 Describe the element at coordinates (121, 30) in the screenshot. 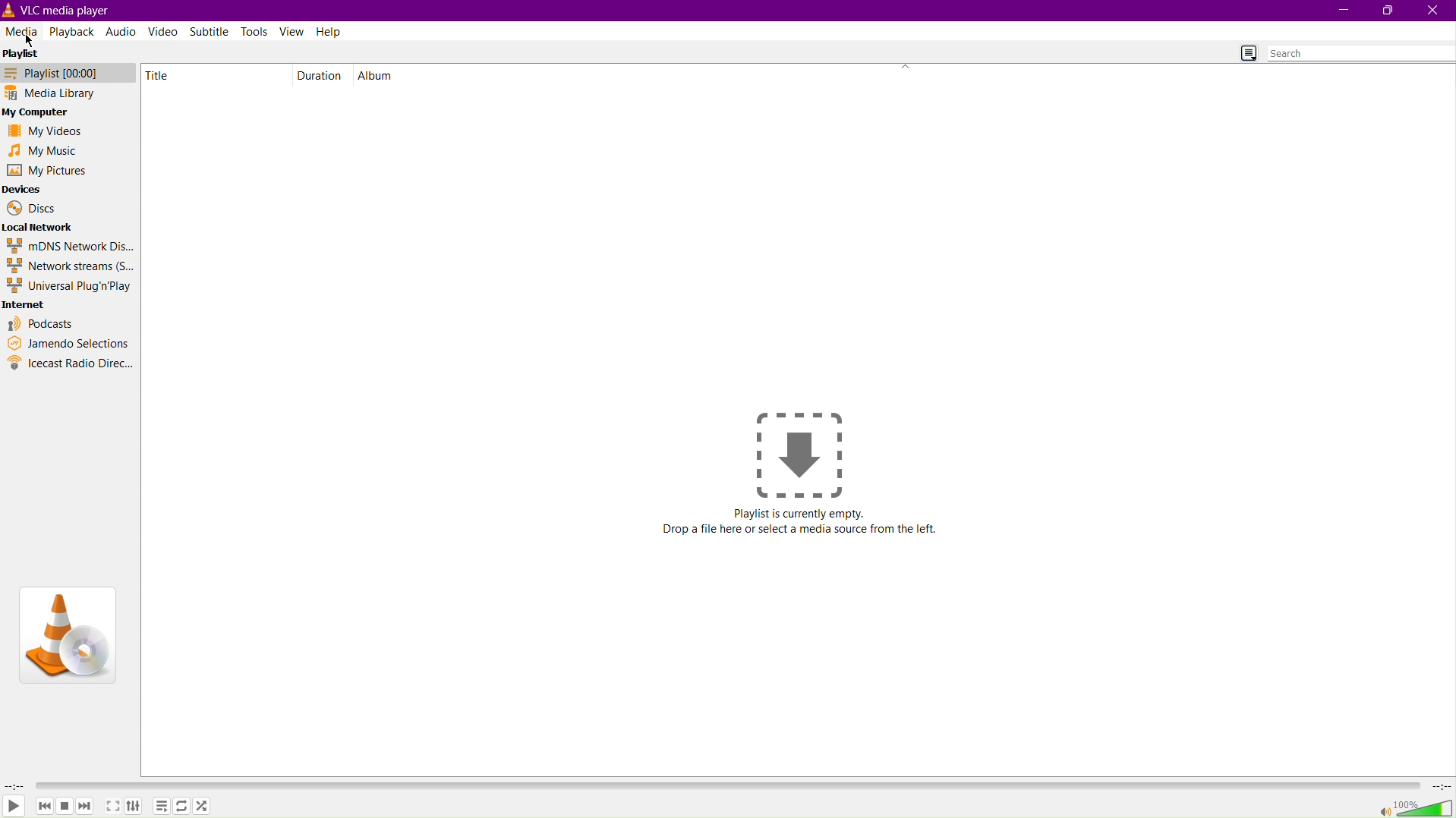

I see `Audio` at that location.